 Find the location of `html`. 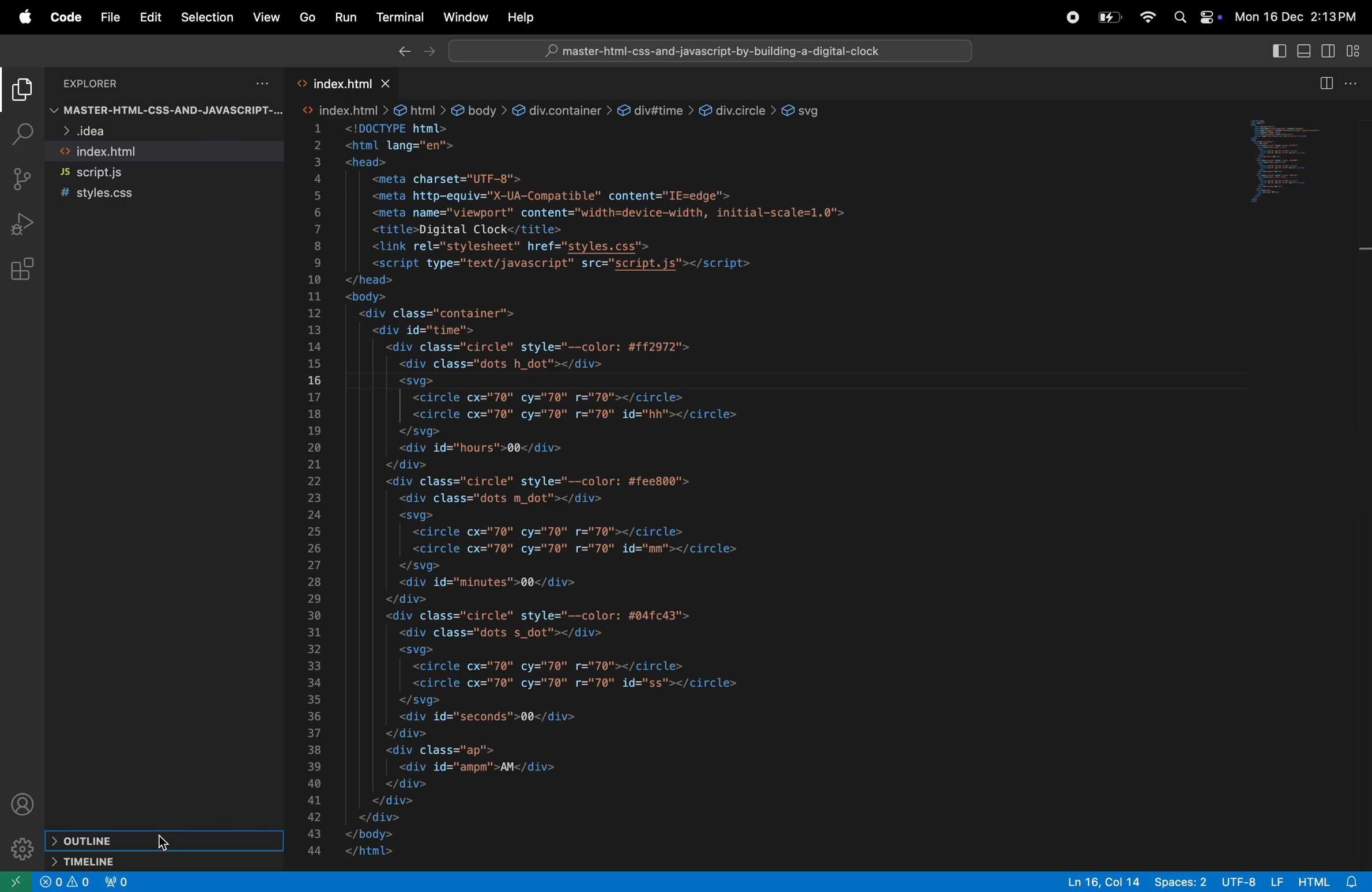

html is located at coordinates (344, 110).